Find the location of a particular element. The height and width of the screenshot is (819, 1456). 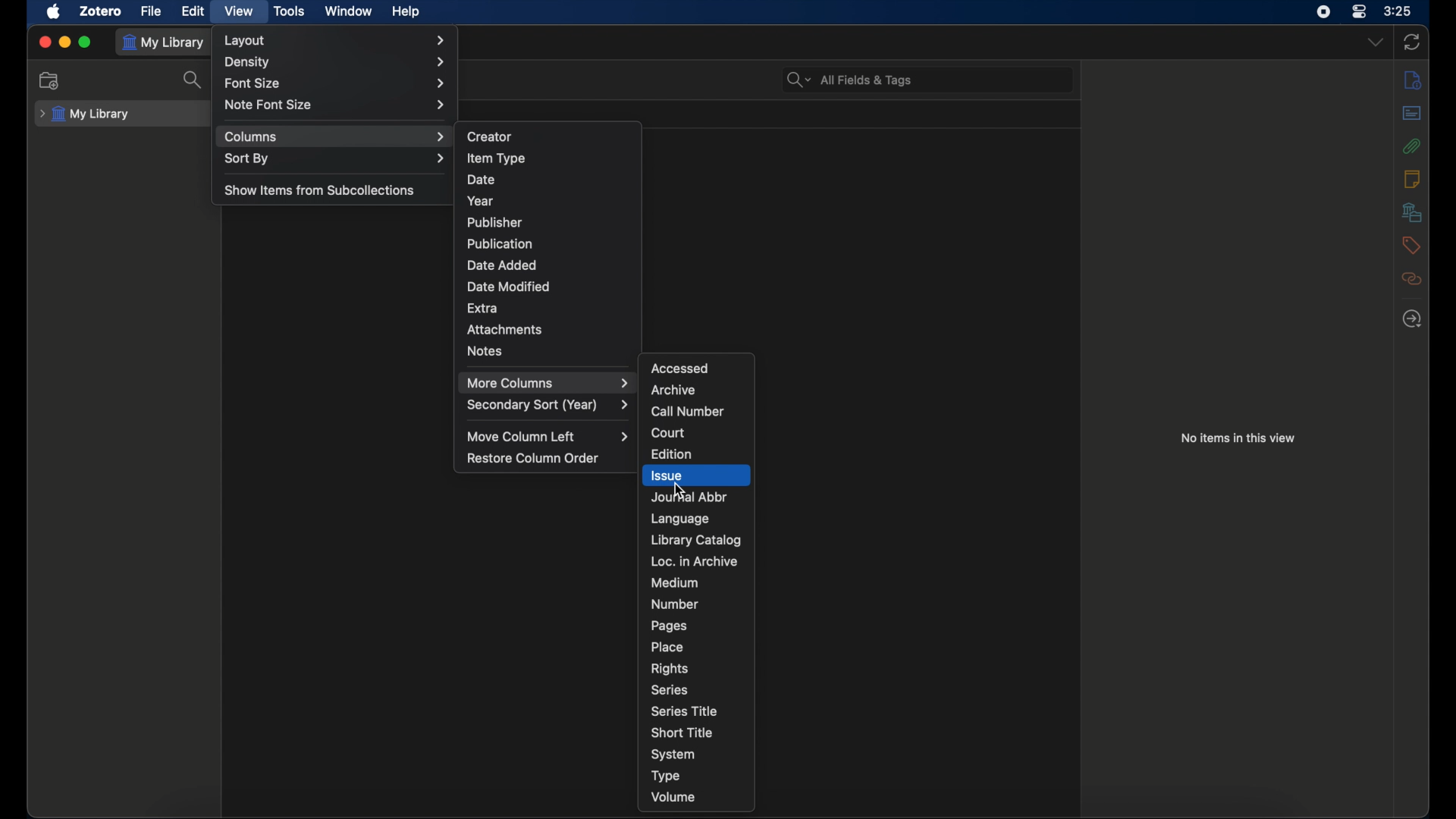

accessed is located at coordinates (679, 368).